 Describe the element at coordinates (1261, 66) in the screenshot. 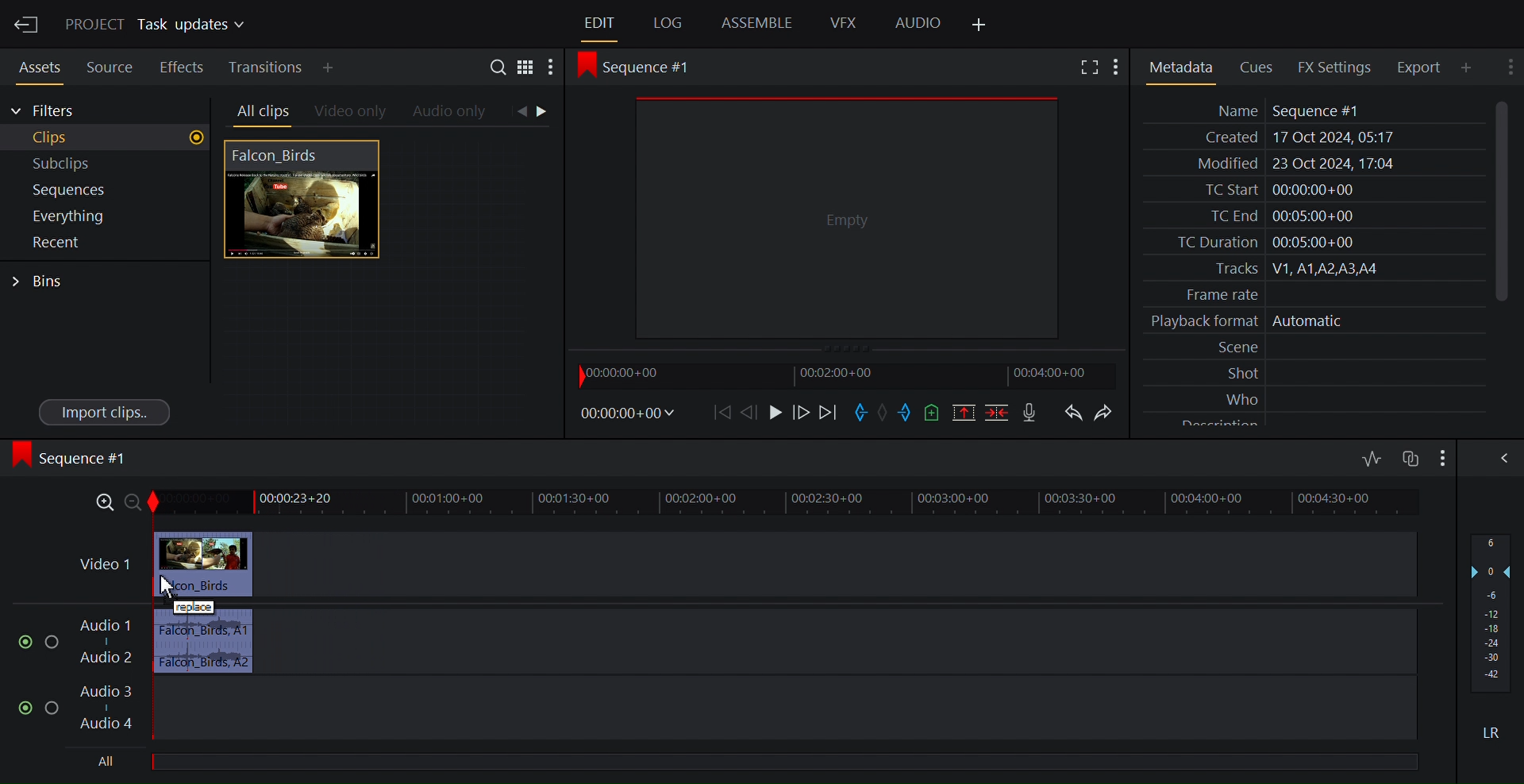

I see `Cues` at that location.